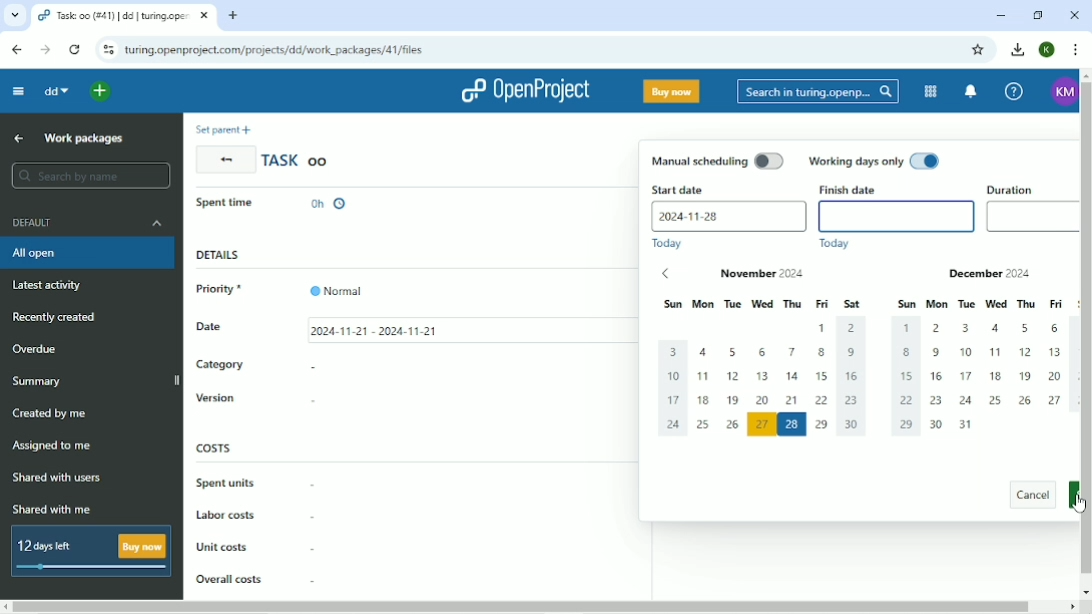 The width and height of the screenshot is (1092, 614). What do you see at coordinates (980, 376) in the screenshot?
I see `dates of december 2024` at bounding box center [980, 376].